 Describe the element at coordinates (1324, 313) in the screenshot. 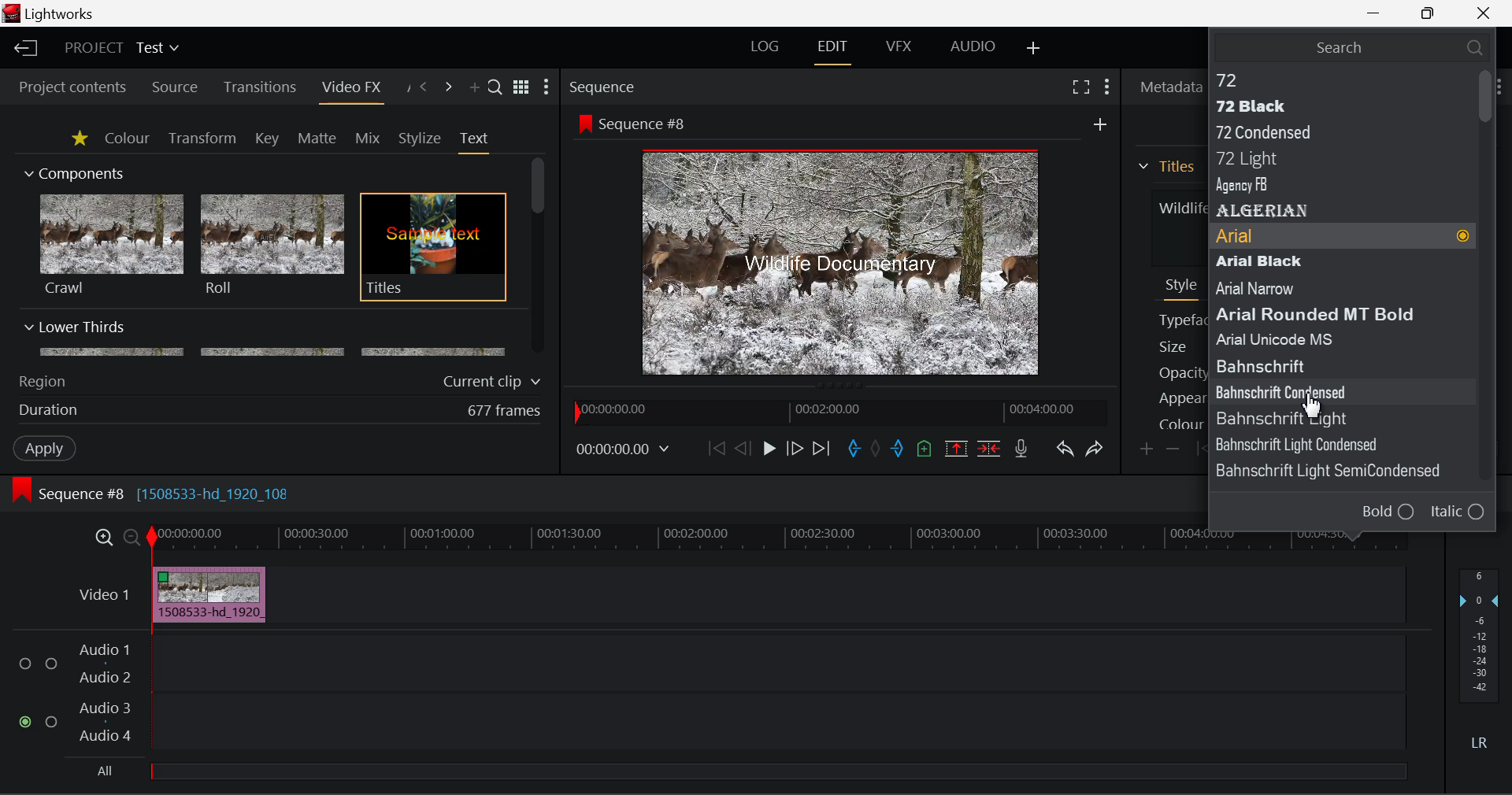

I see `Arial Rounded MT Bold` at that location.